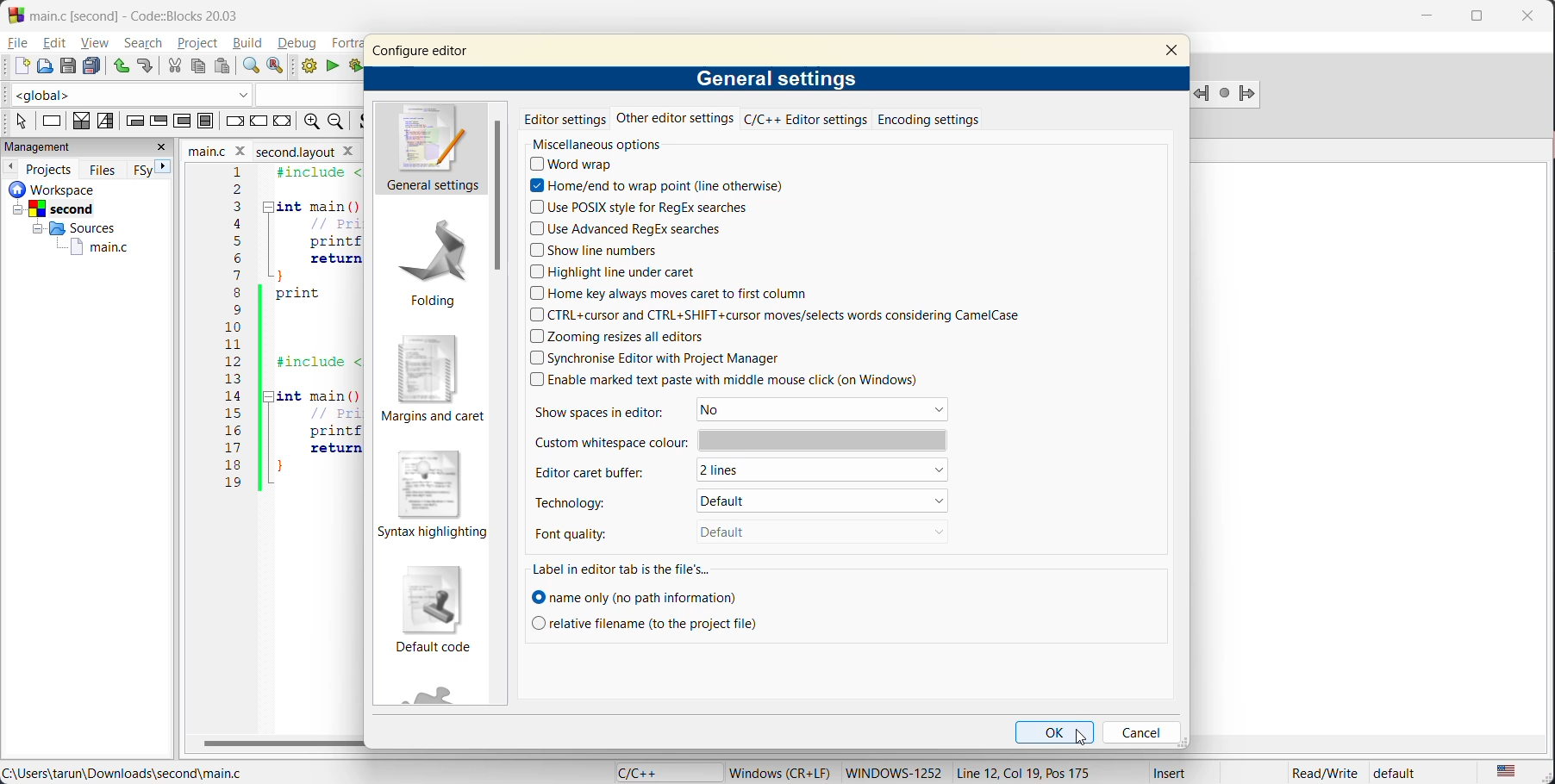 This screenshot has height=784, width=1555. Describe the element at coordinates (150, 14) in the screenshot. I see `app name and file name` at that location.